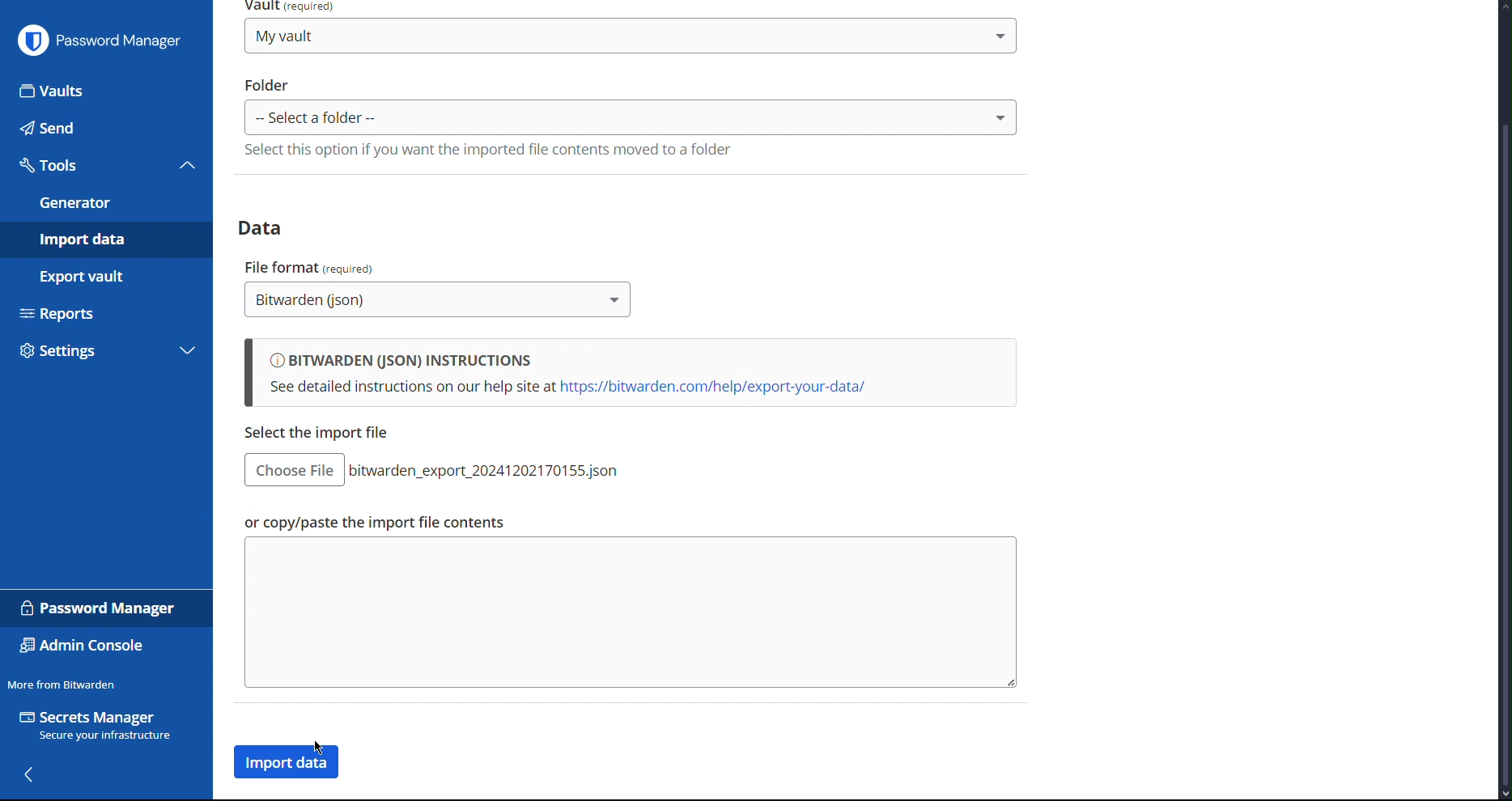 Image resolution: width=1512 pixels, height=801 pixels. Describe the element at coordinates (321, 749) in the screenshot. I see `Cursor` at that location.